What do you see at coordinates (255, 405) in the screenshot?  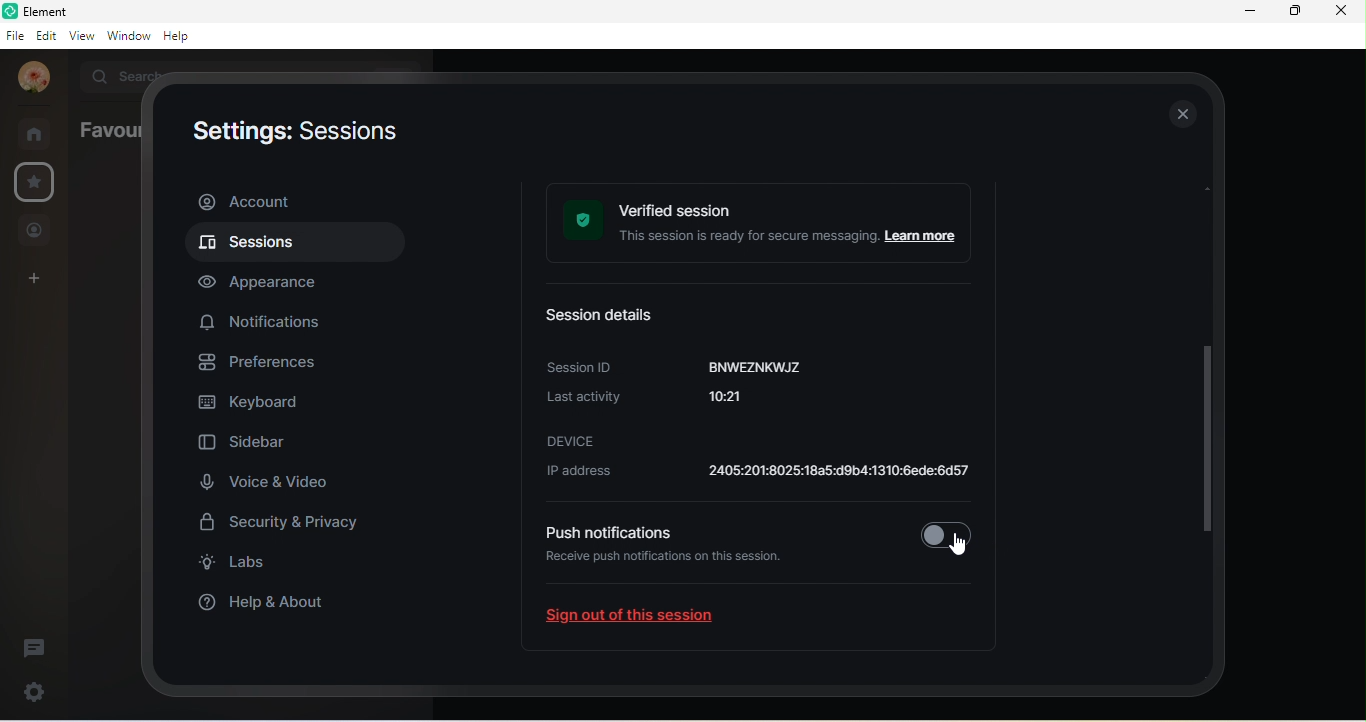 I see `keyboard` at bounding box center [255, 405].